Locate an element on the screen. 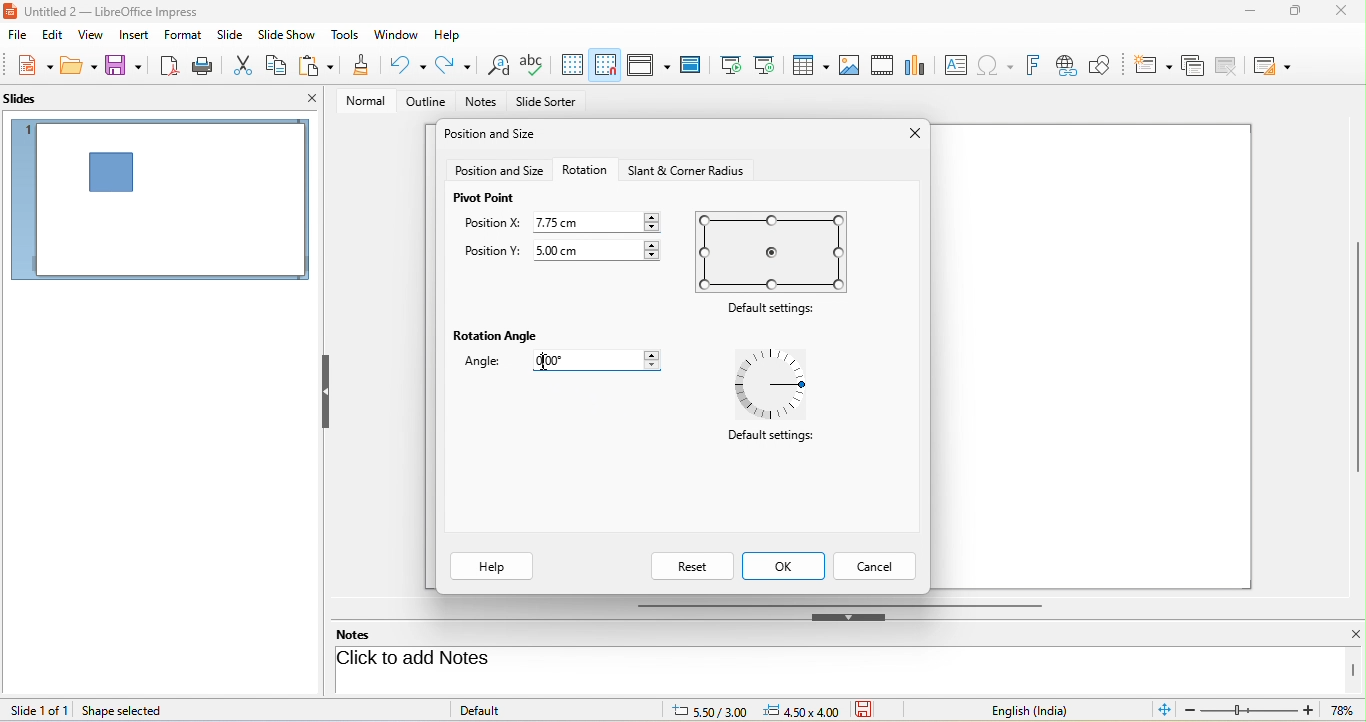  pivot point is located at coordinates (485, 198).